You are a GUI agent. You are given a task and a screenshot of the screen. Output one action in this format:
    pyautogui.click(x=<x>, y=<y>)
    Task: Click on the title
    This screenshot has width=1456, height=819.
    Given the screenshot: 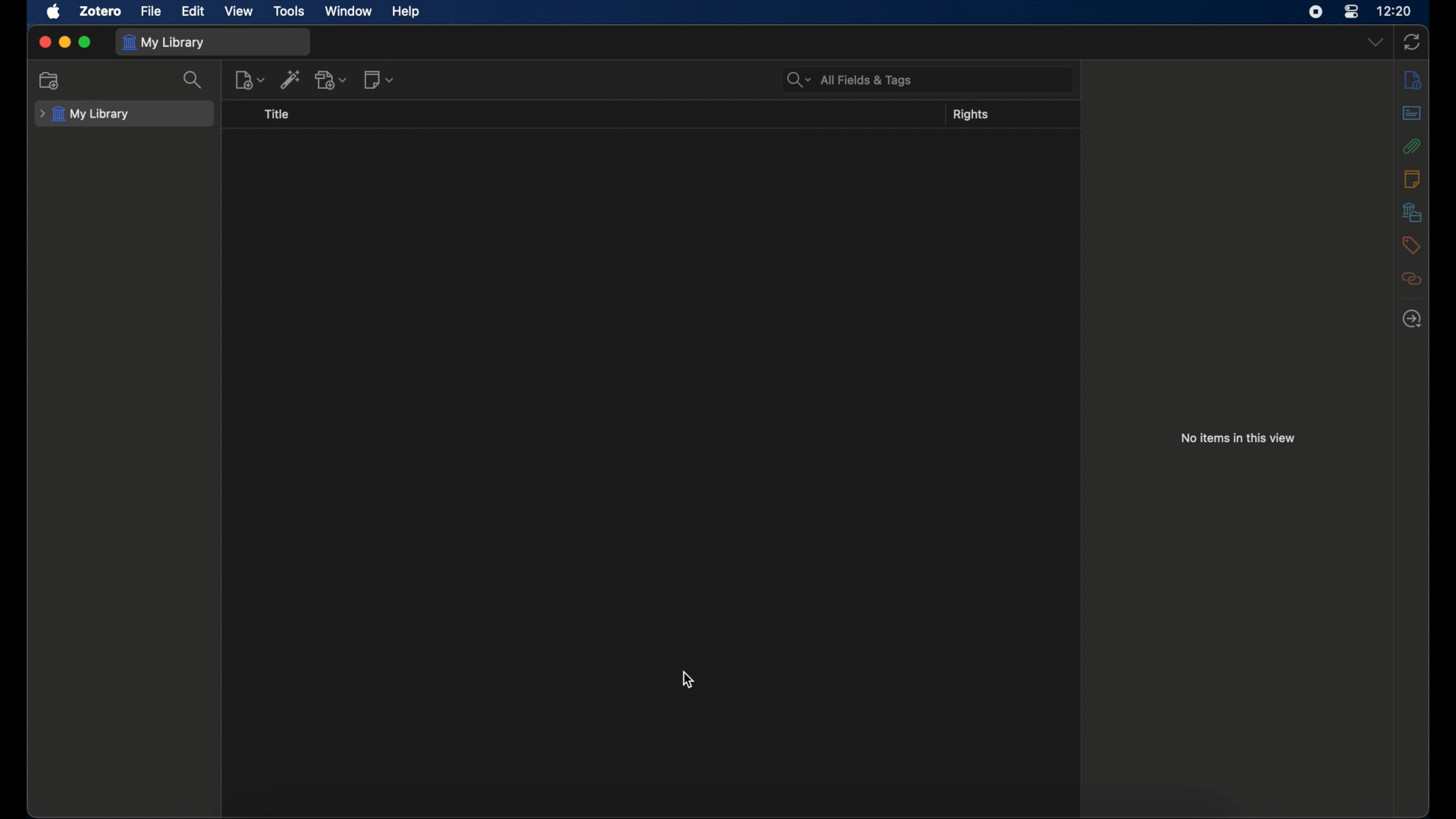 What is the action you would take?
    pyautogui.click(x=277, y=114)
    